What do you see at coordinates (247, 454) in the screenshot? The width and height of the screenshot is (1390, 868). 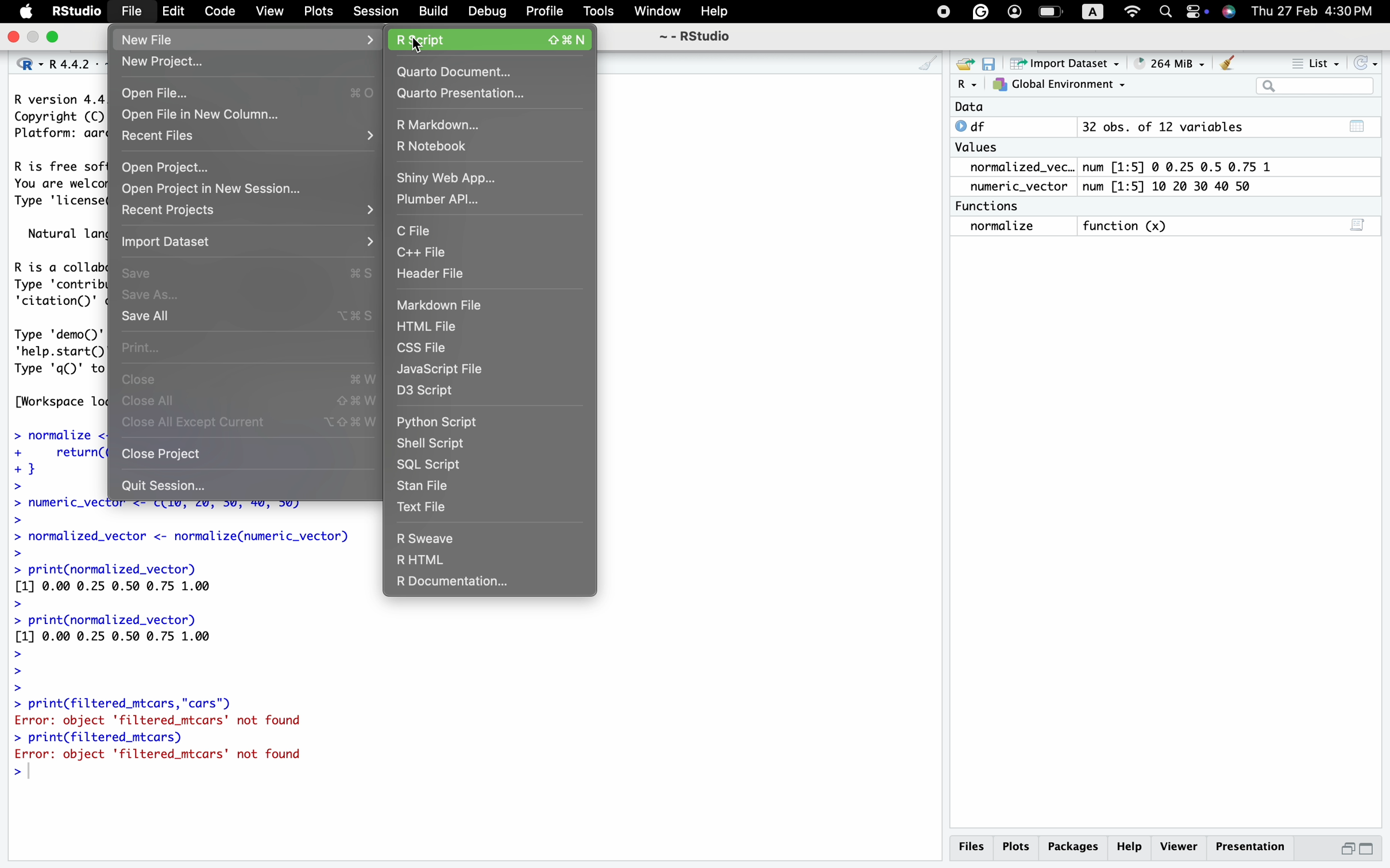 I see `close project` at bounding box center [247, 454].